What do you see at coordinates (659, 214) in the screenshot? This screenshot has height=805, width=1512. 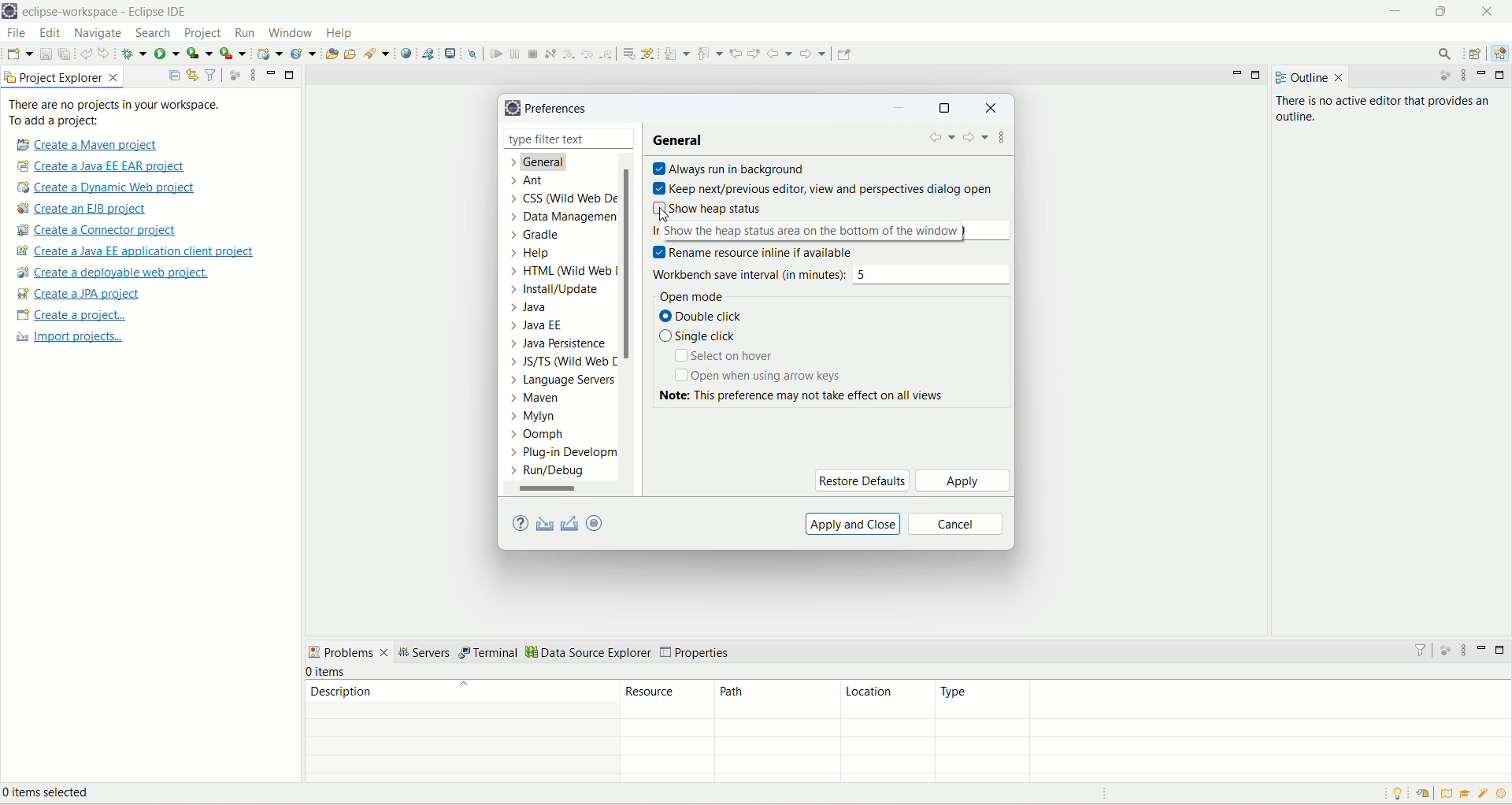 I see `cursor` at bounding box center [659, 214].